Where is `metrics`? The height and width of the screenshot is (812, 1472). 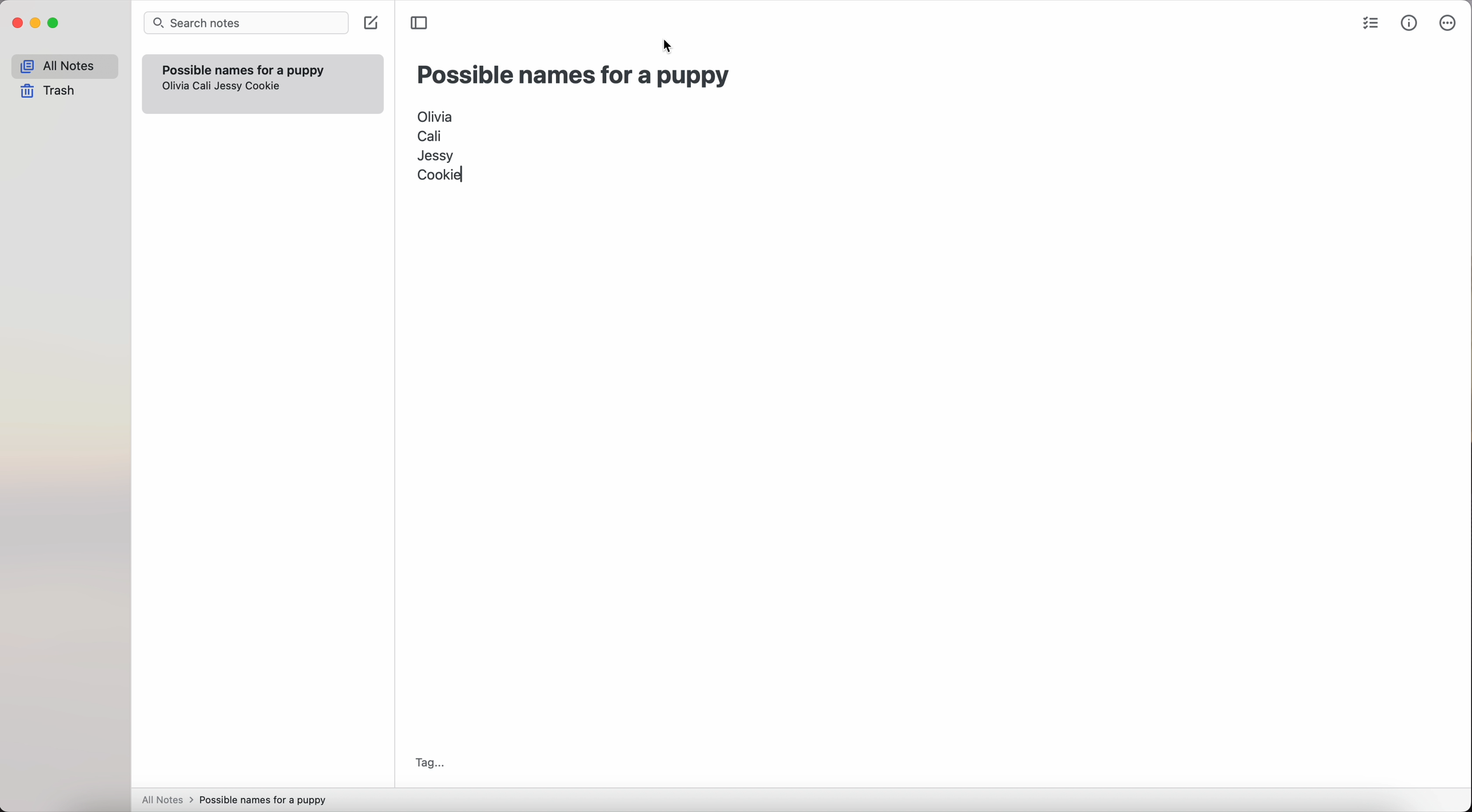
metrics is located at coordinates (1410, 23).